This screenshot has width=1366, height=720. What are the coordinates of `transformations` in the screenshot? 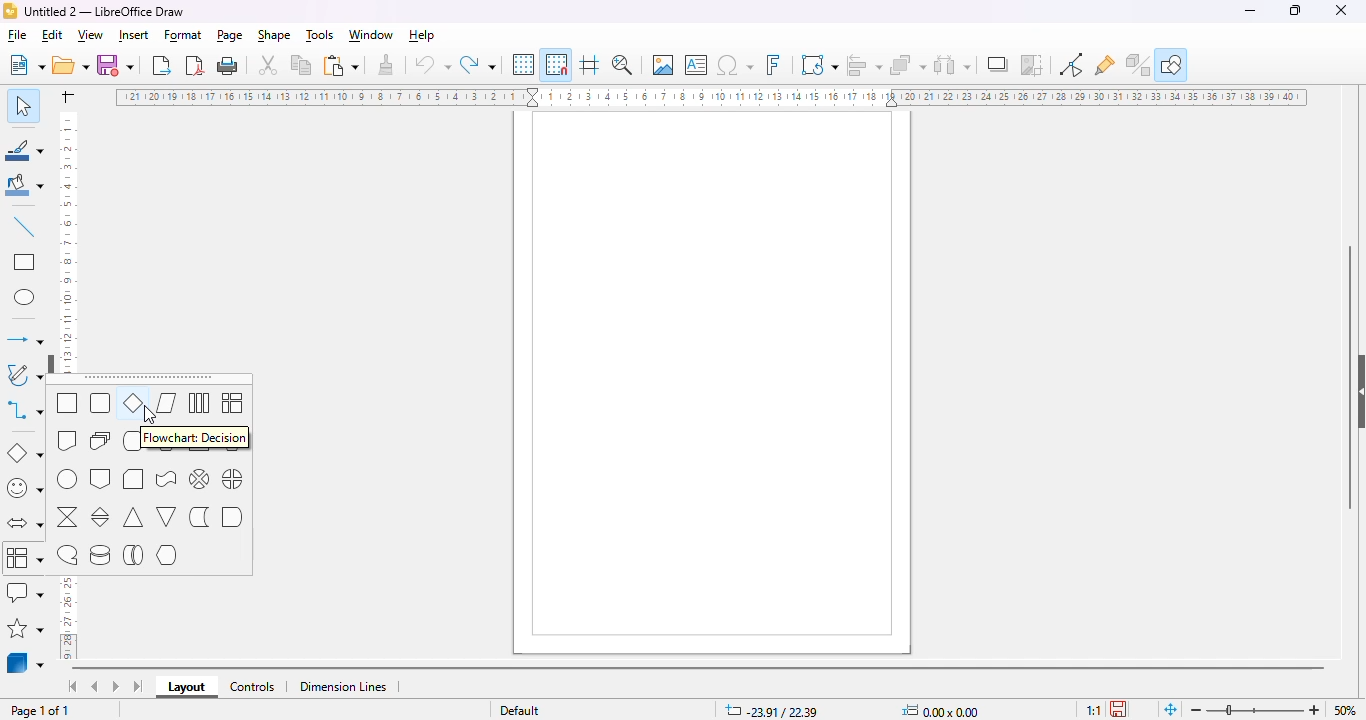 It's located at (819, 65).